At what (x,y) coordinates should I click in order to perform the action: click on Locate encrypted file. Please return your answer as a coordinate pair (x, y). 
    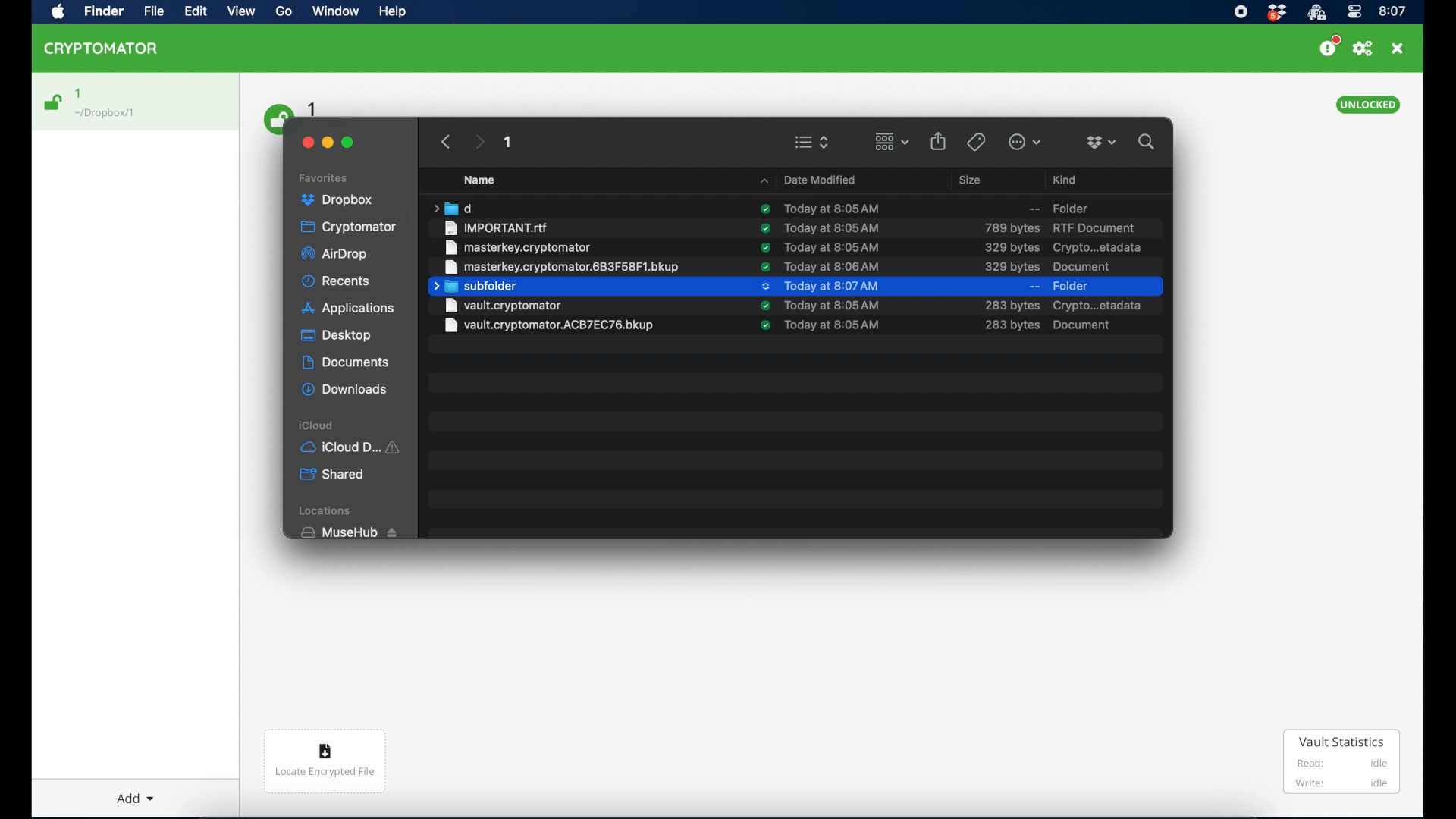
    Looking at the image, I should click on (326, 764).